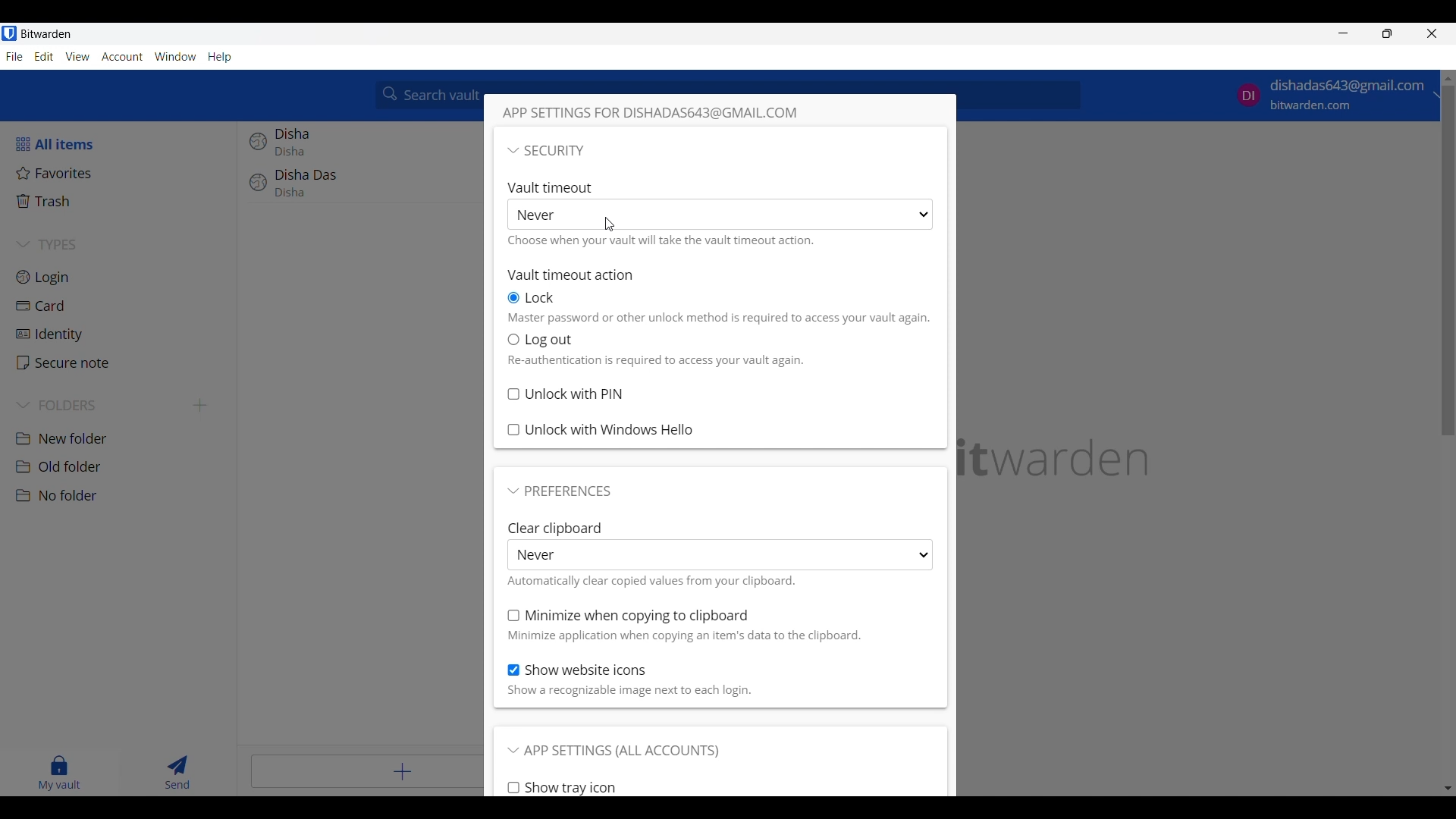 This screenshot has height=819, width=1456. Describe the element at coordinates (613, 752) in the screenshot. I see `Collapse App settings` at that location.